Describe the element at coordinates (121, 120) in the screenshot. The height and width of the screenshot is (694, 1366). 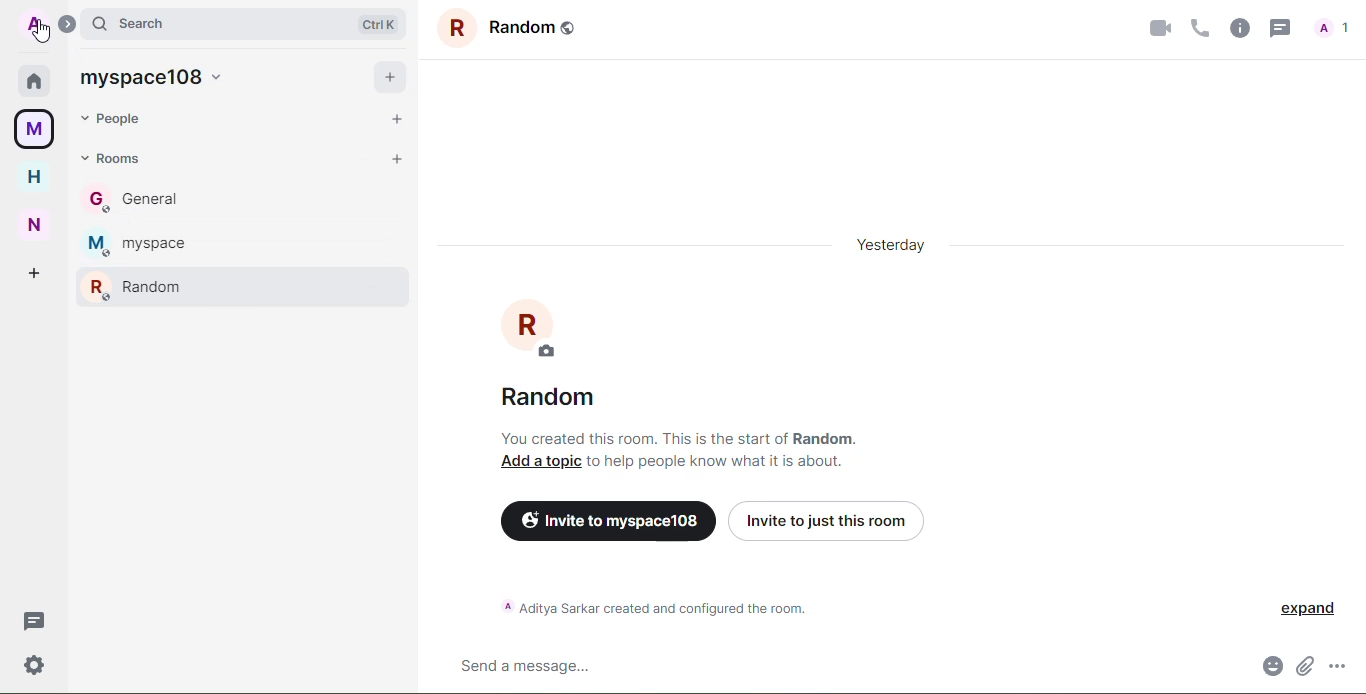
I see `people` at that location.